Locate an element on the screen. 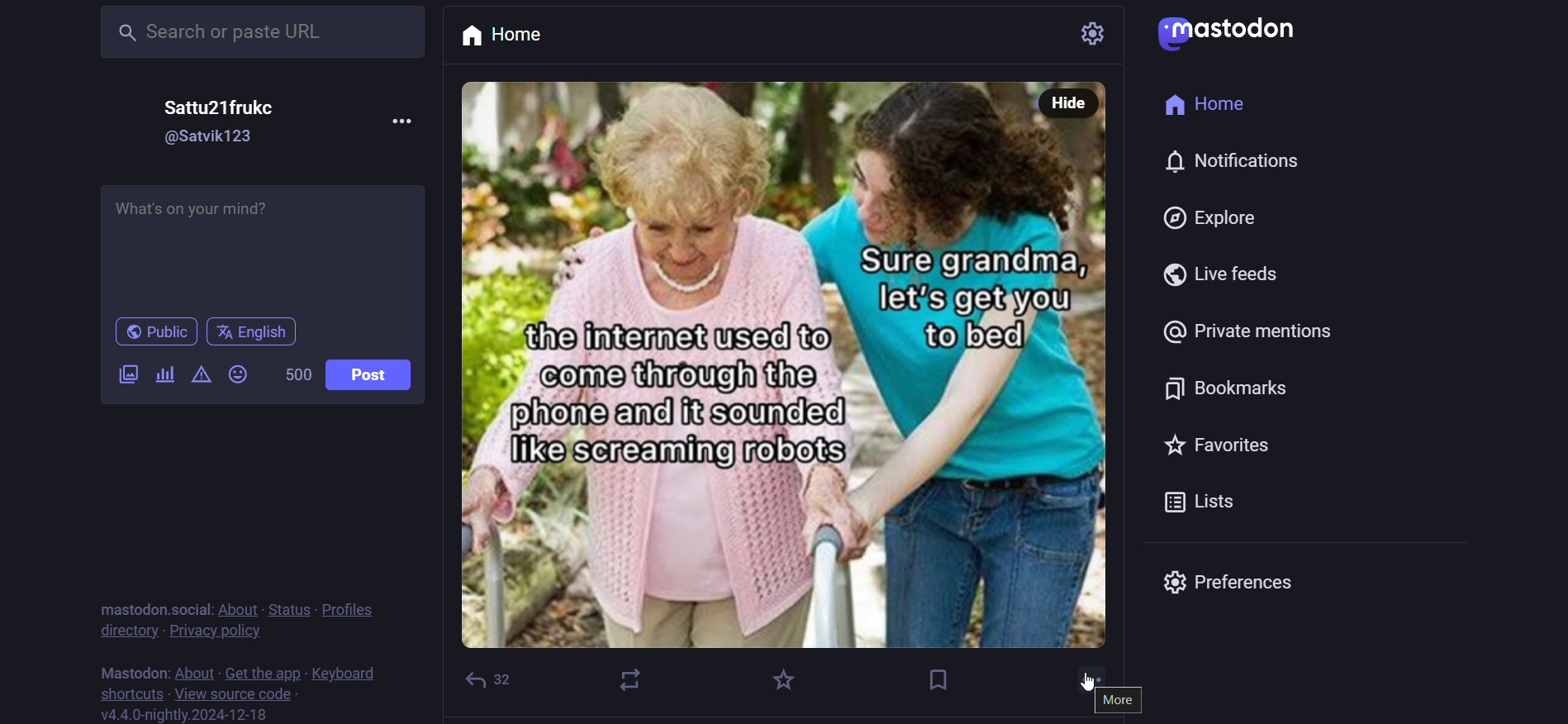  hide is located at coordinates (1067, 103).